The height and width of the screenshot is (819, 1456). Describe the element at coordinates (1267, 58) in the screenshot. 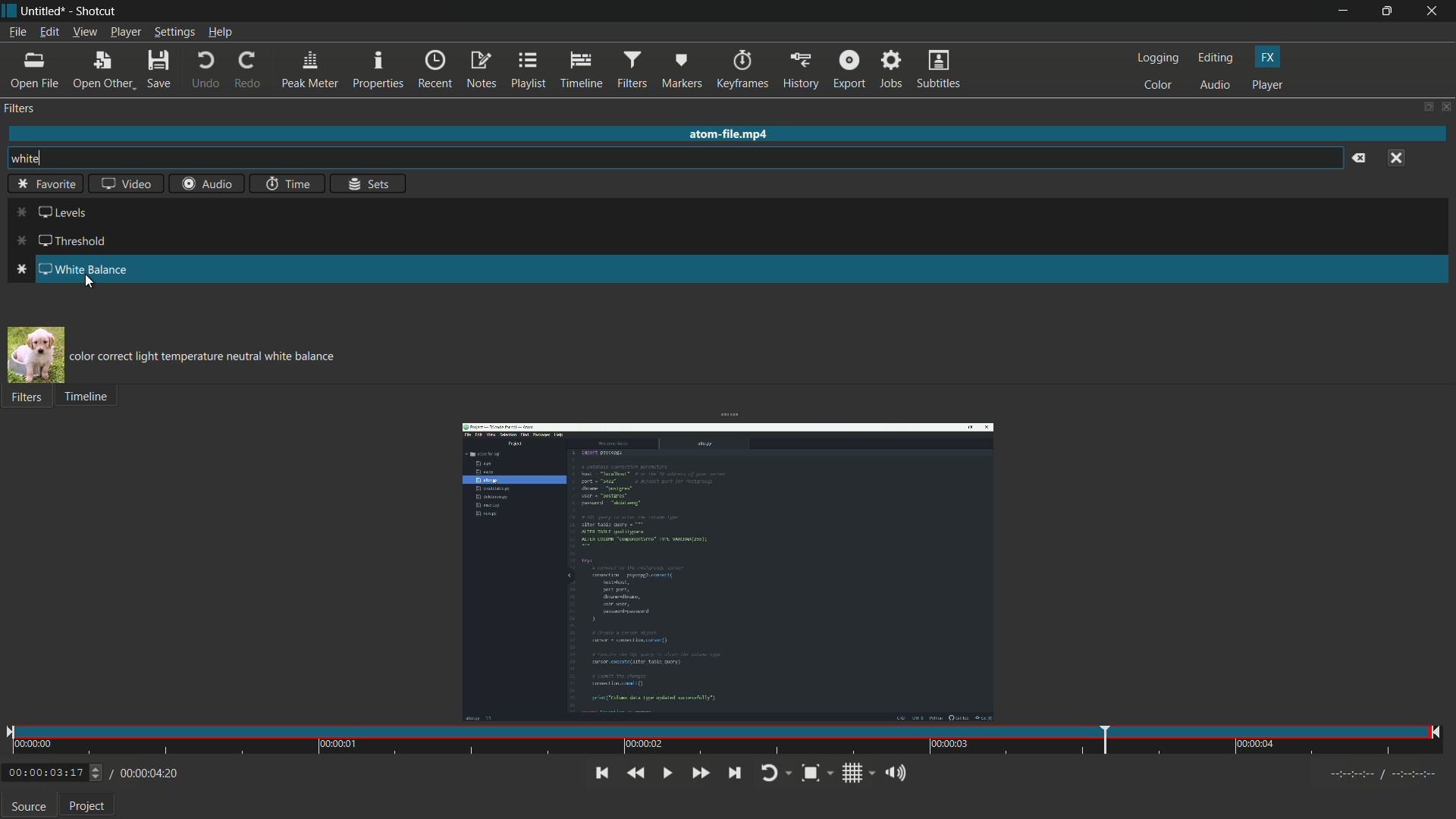

I see `fx` at that location.